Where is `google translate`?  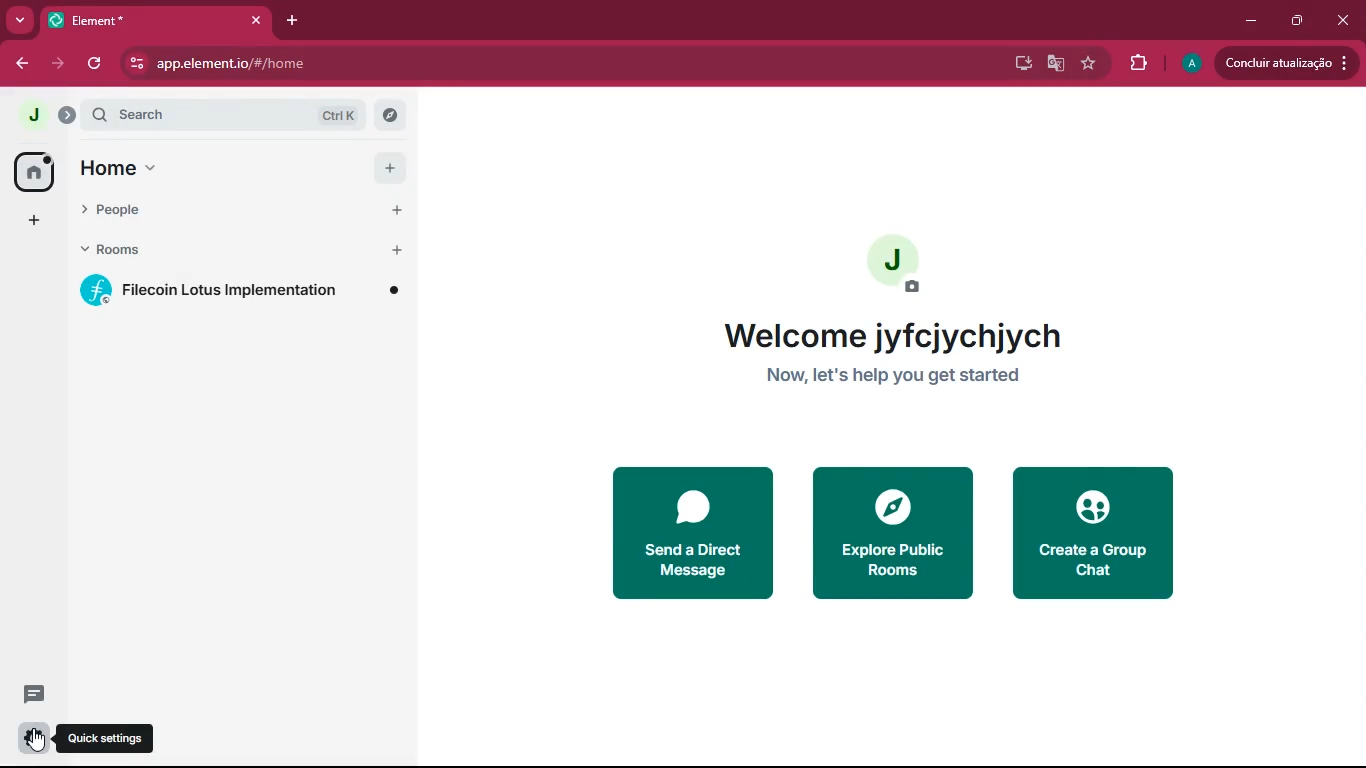 google translate is located at coordinates (1055, 64).